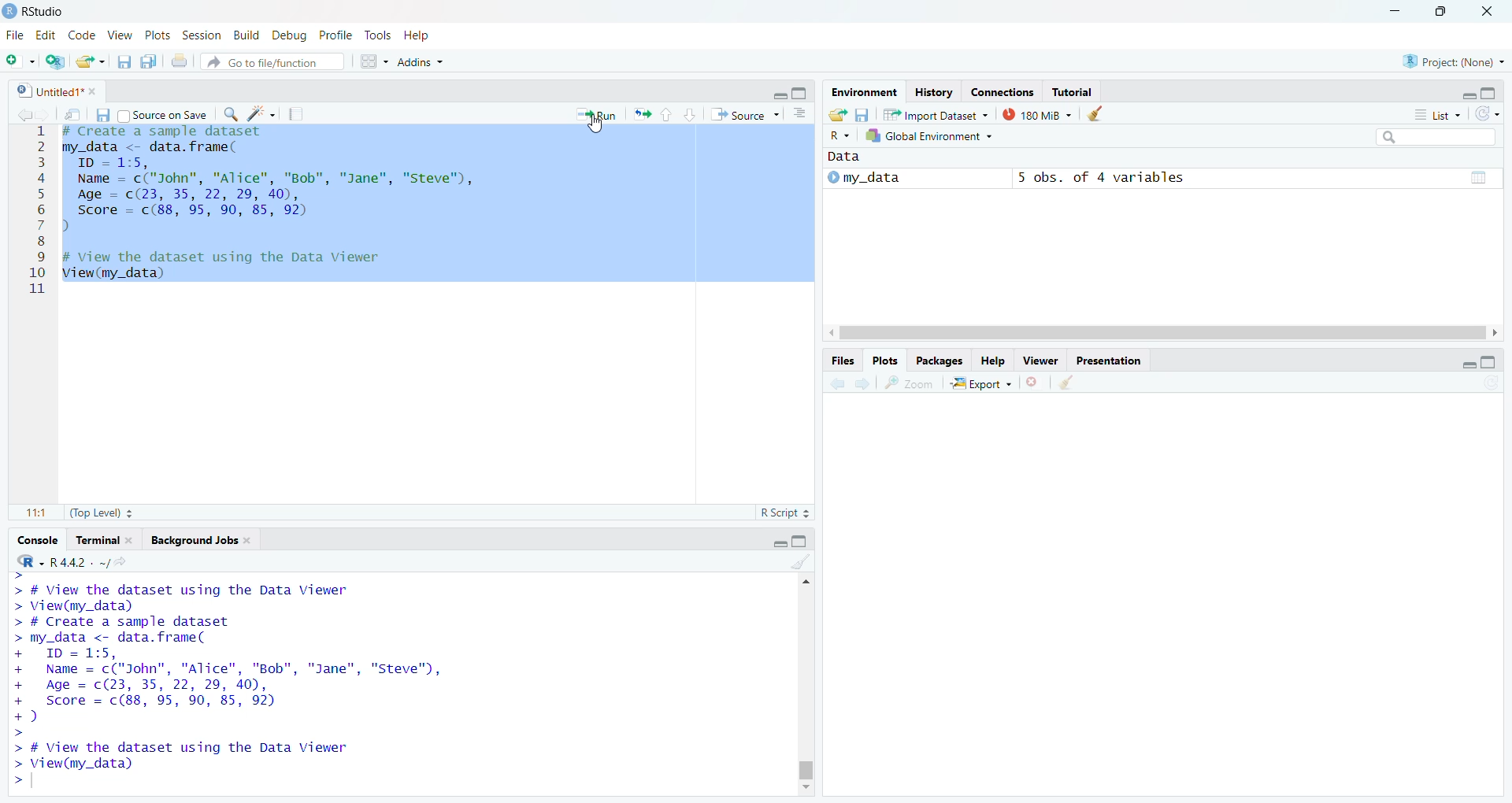 This screenshot has height=803, width=1512. What do you see at coordinates (15, 37) in the screenshot?
I see `file` at bounding box center [15, 37].